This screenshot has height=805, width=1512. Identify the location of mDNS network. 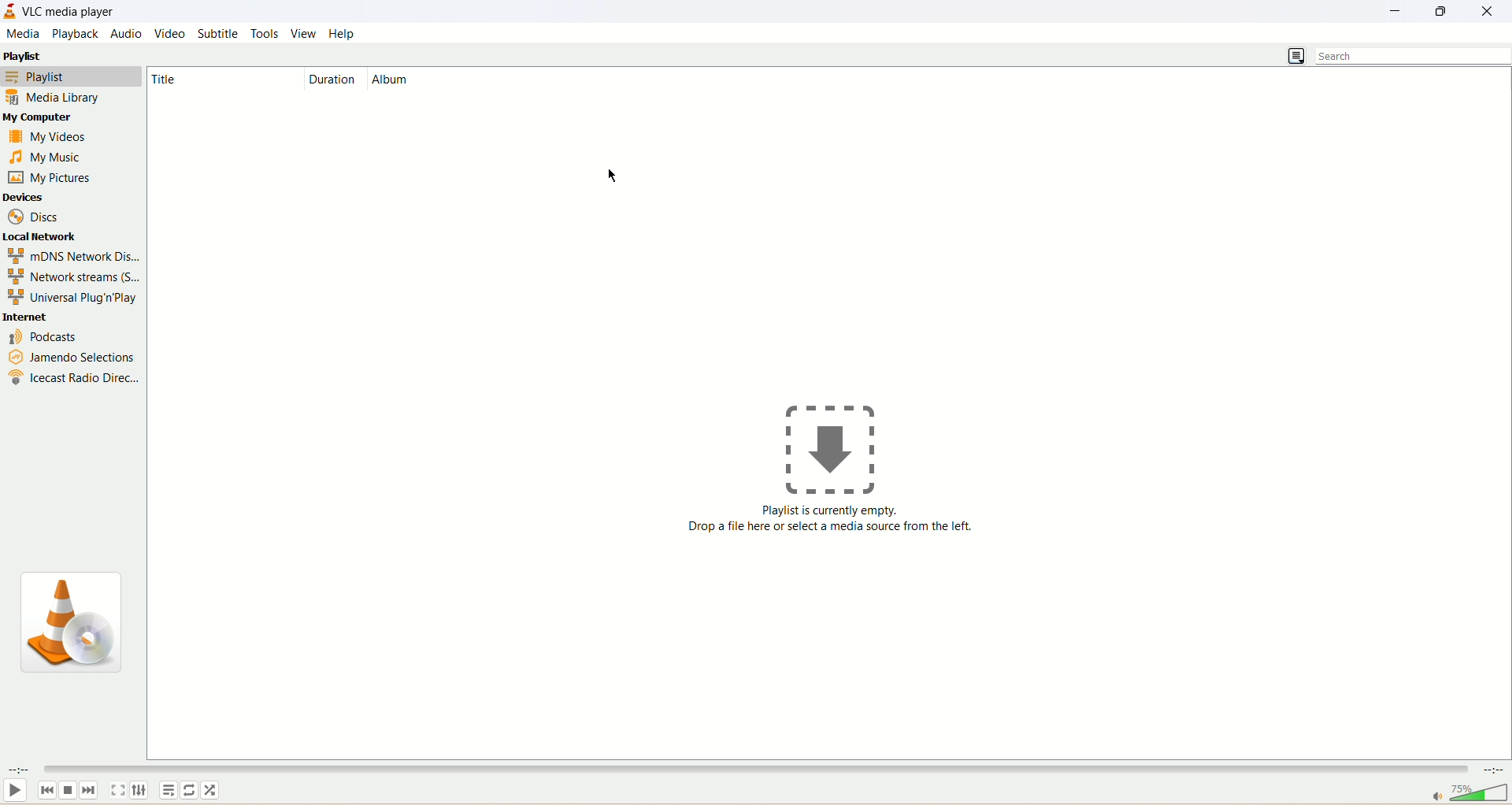
(72, 254).